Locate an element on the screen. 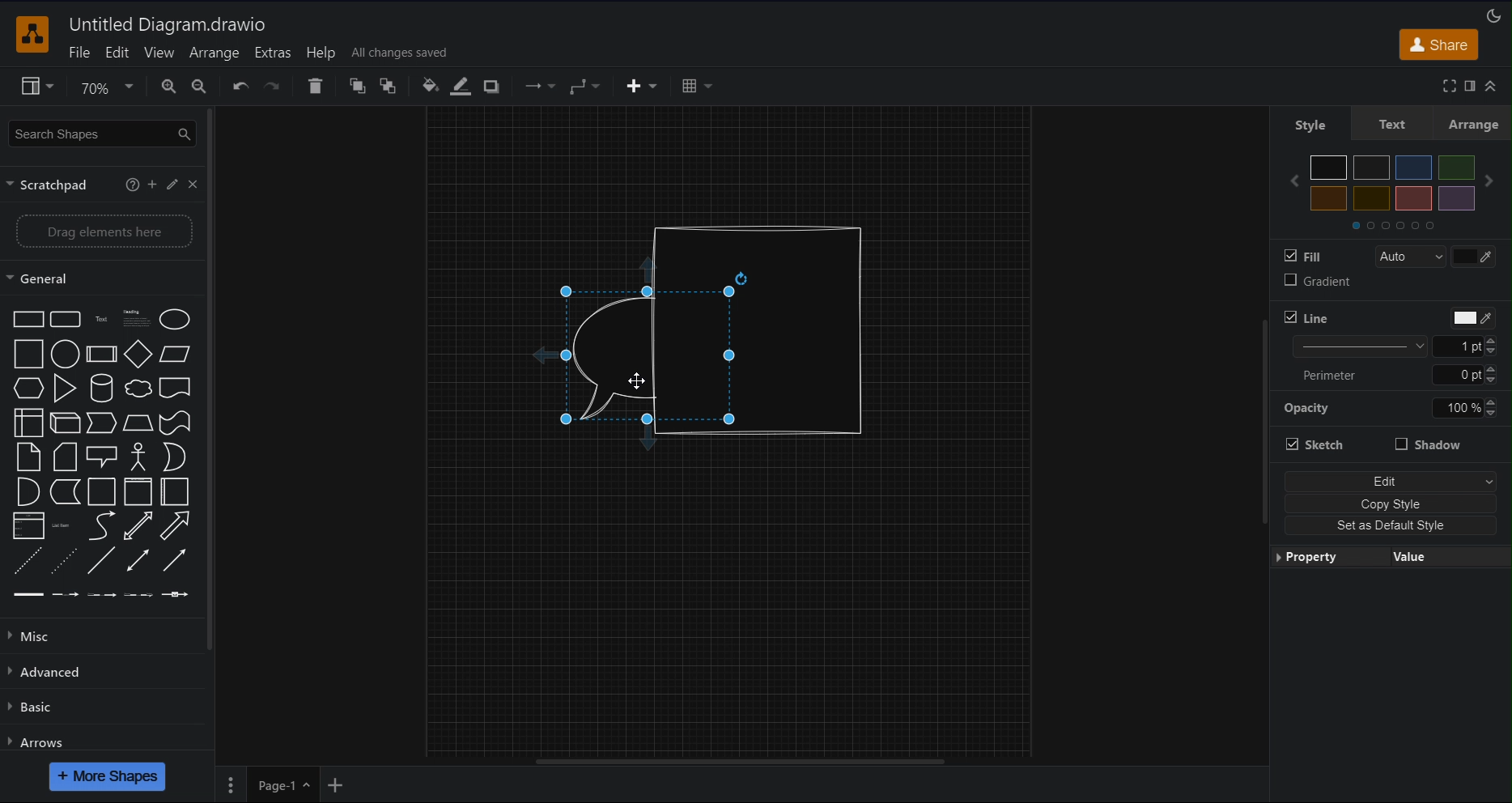 The width and height of the screenshot is (1512, 803). Search Shapes is located at coordinates (102, 134).